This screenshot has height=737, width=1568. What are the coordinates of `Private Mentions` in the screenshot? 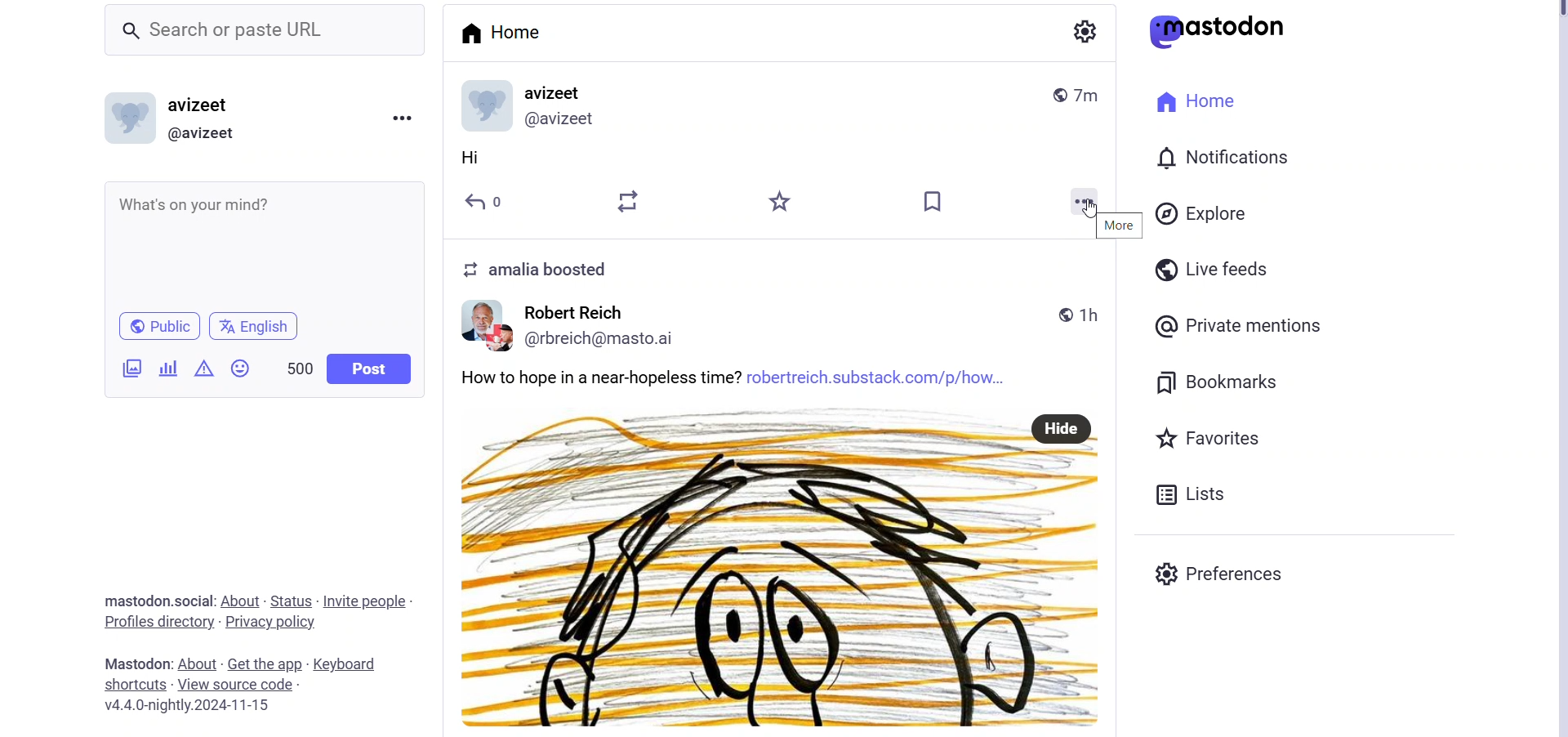 It's located at (1240, 326).